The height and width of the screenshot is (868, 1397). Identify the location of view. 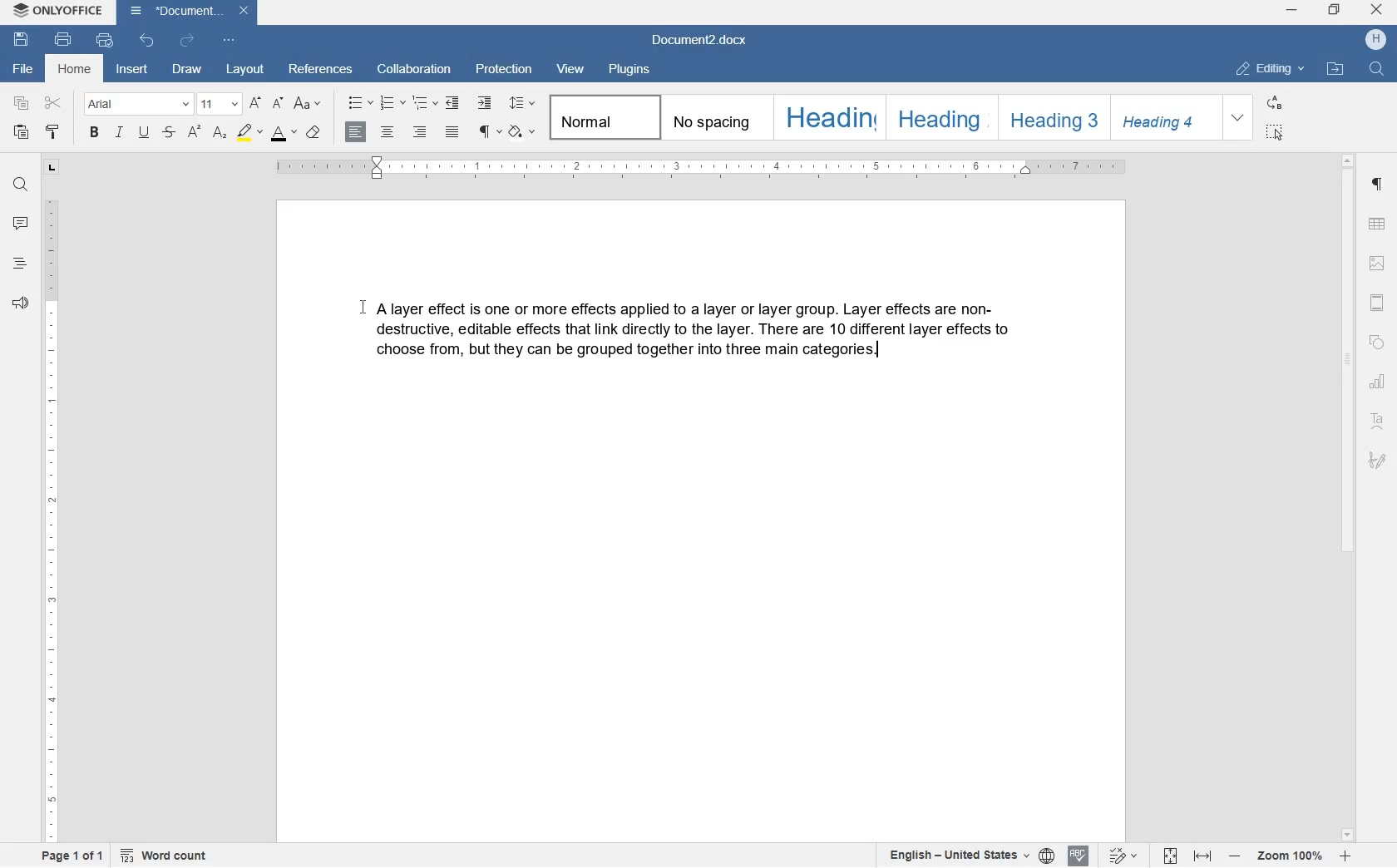
(571, 71).